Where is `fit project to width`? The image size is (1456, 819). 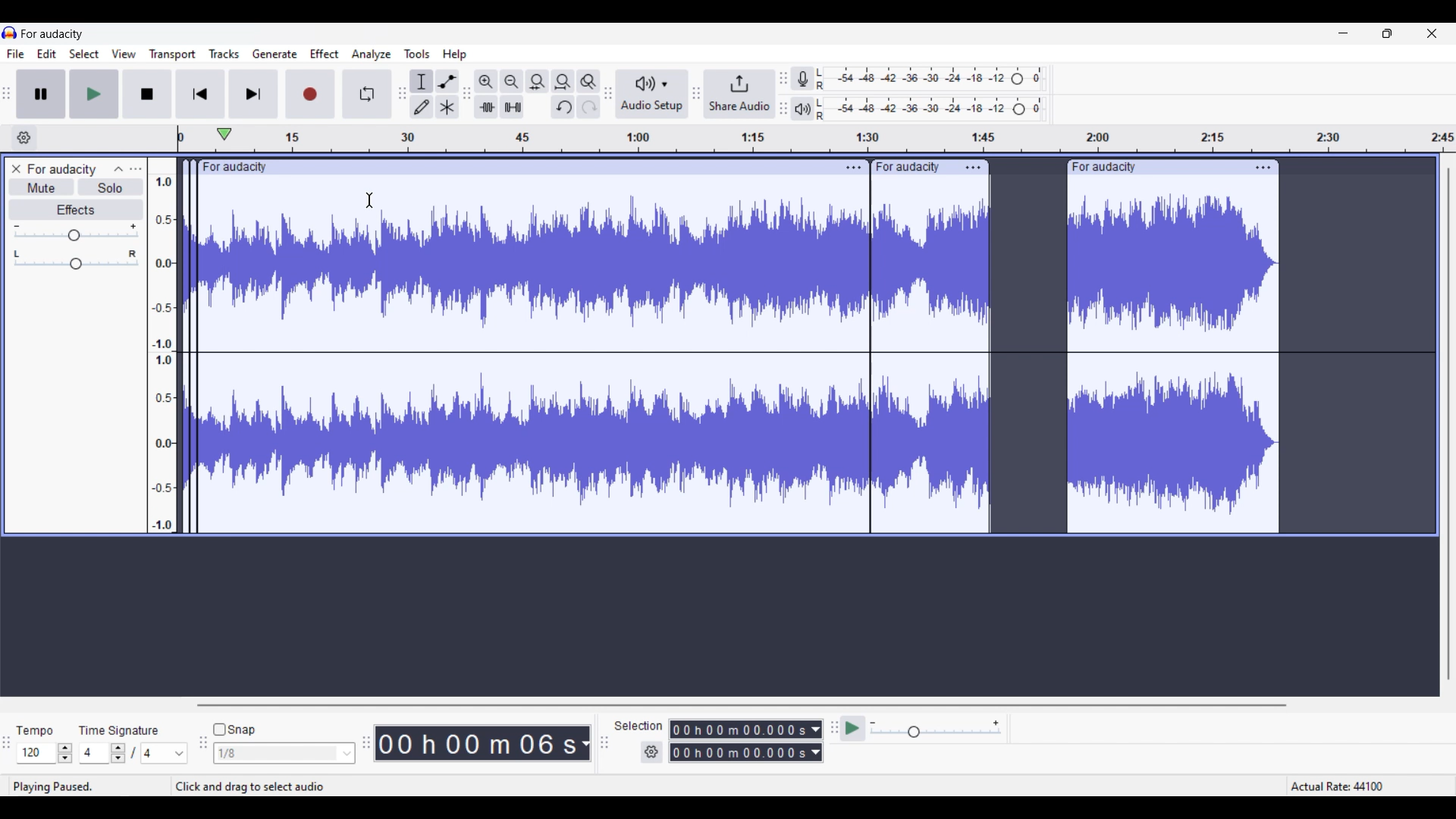
fit project to width is located at coordinates (563, 81).